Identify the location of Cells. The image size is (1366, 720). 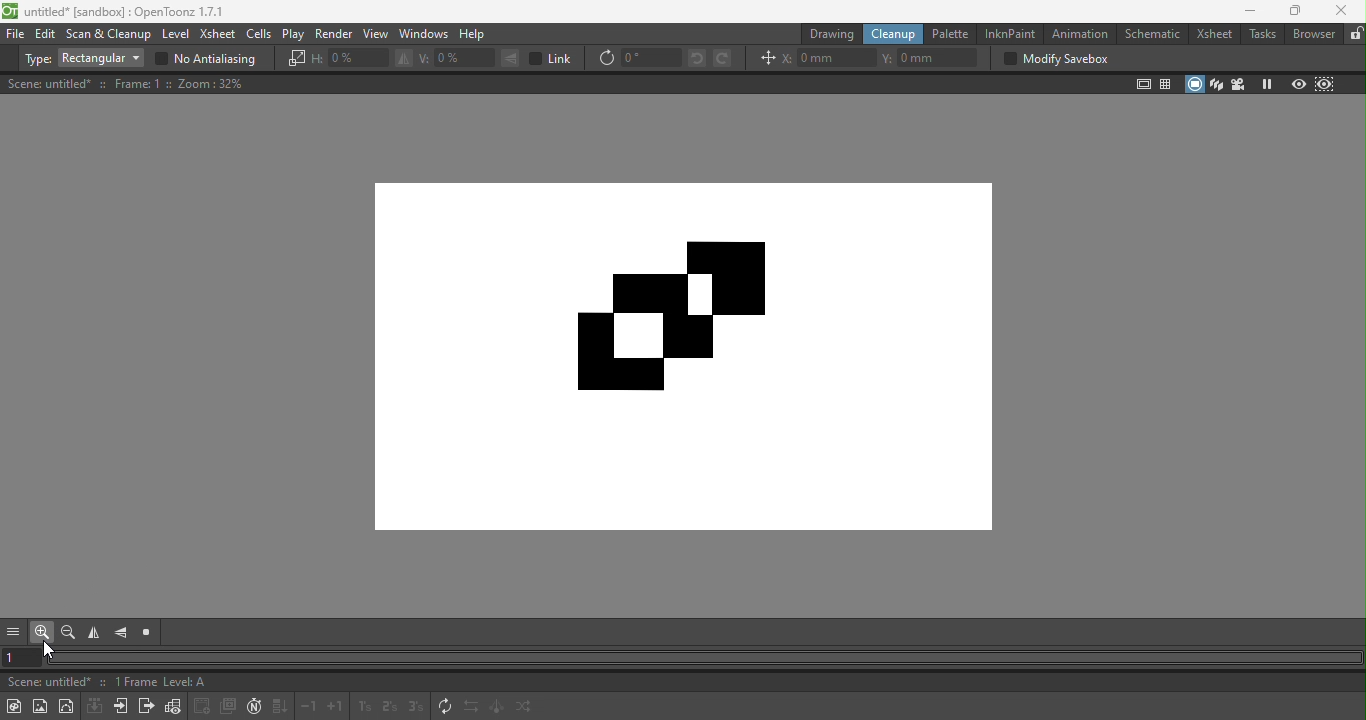
(258, 35).